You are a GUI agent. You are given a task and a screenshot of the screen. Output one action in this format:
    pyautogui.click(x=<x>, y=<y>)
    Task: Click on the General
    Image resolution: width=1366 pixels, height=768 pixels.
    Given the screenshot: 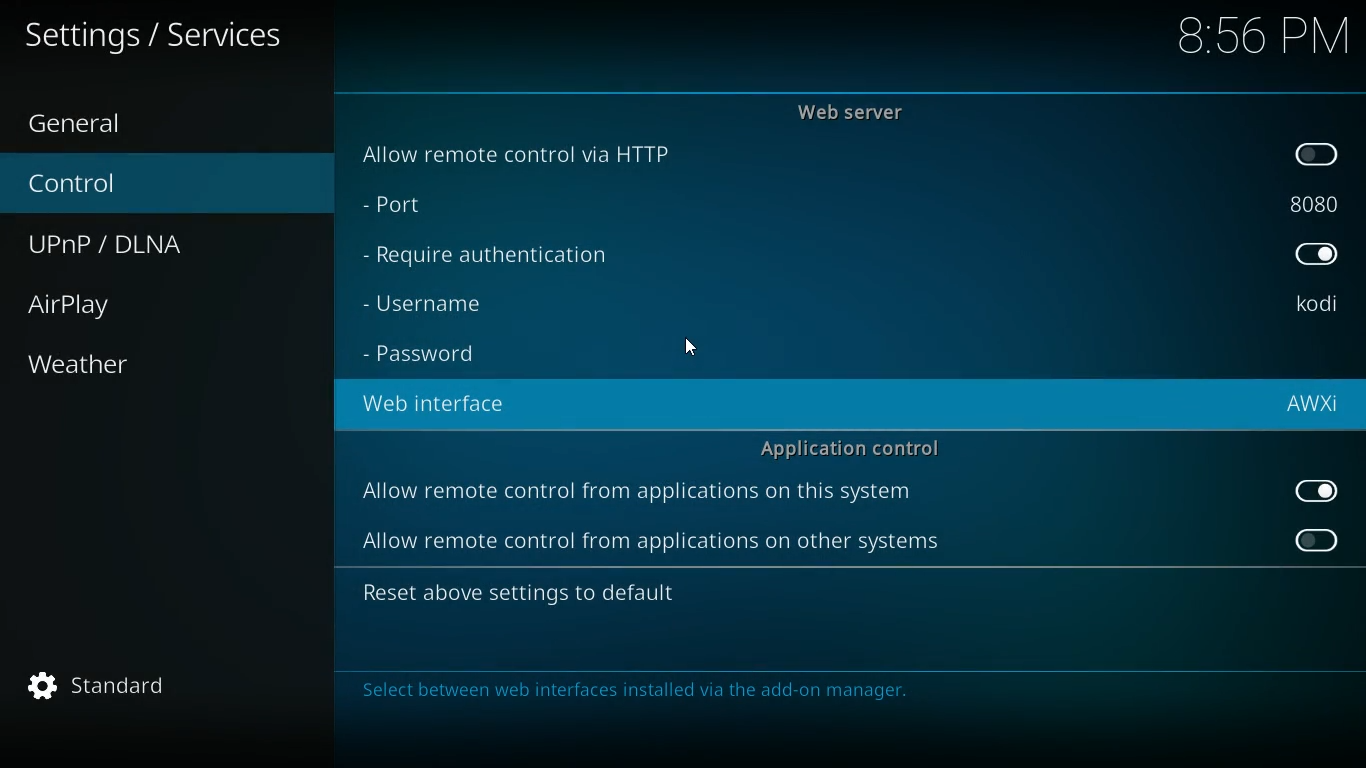 What is the action you would take?
    pyautogui.click(x=99, y=121)
    